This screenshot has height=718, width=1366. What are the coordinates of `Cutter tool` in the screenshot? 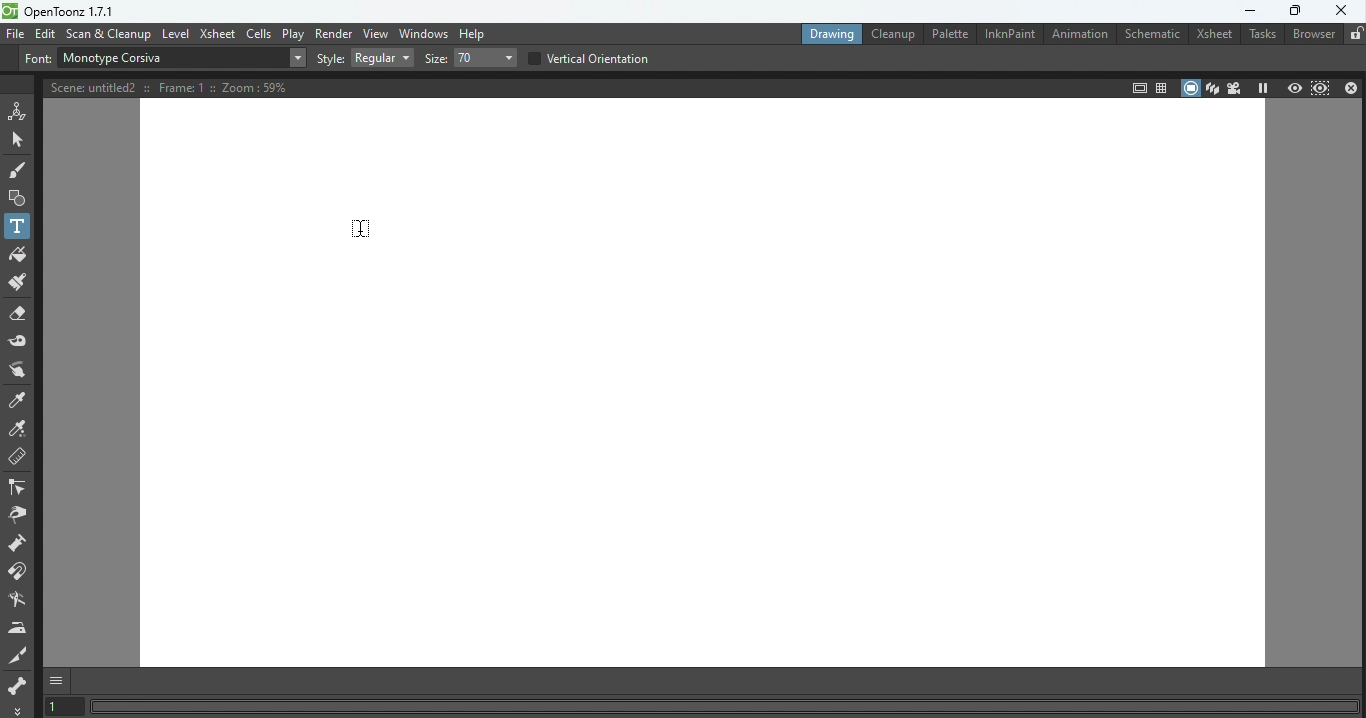 It's located at (18, 655).